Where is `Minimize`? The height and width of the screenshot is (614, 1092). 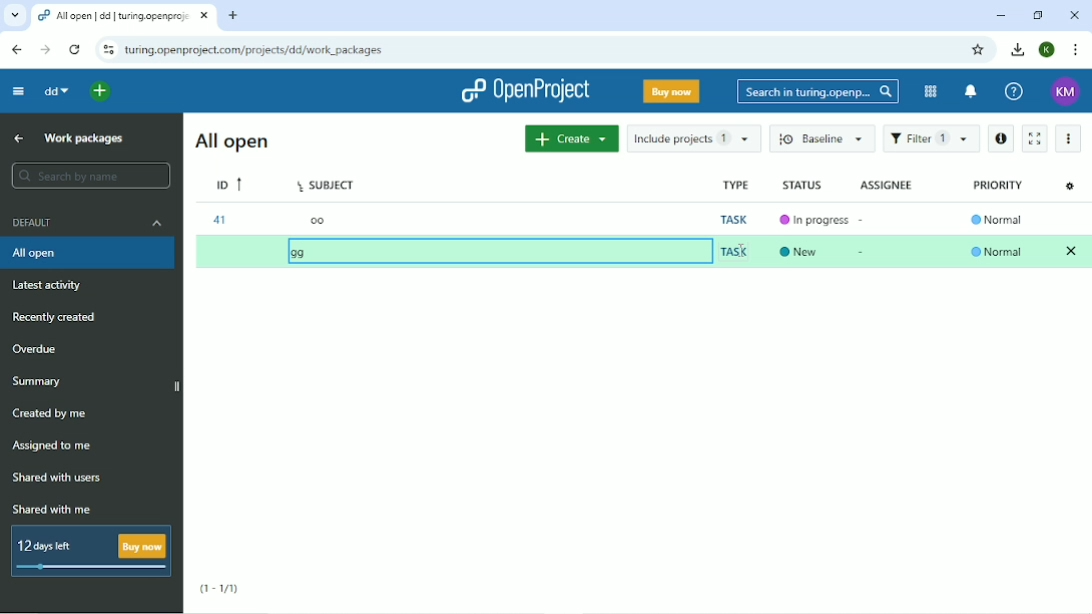
Minimize is located at coordinates (1001, 15).